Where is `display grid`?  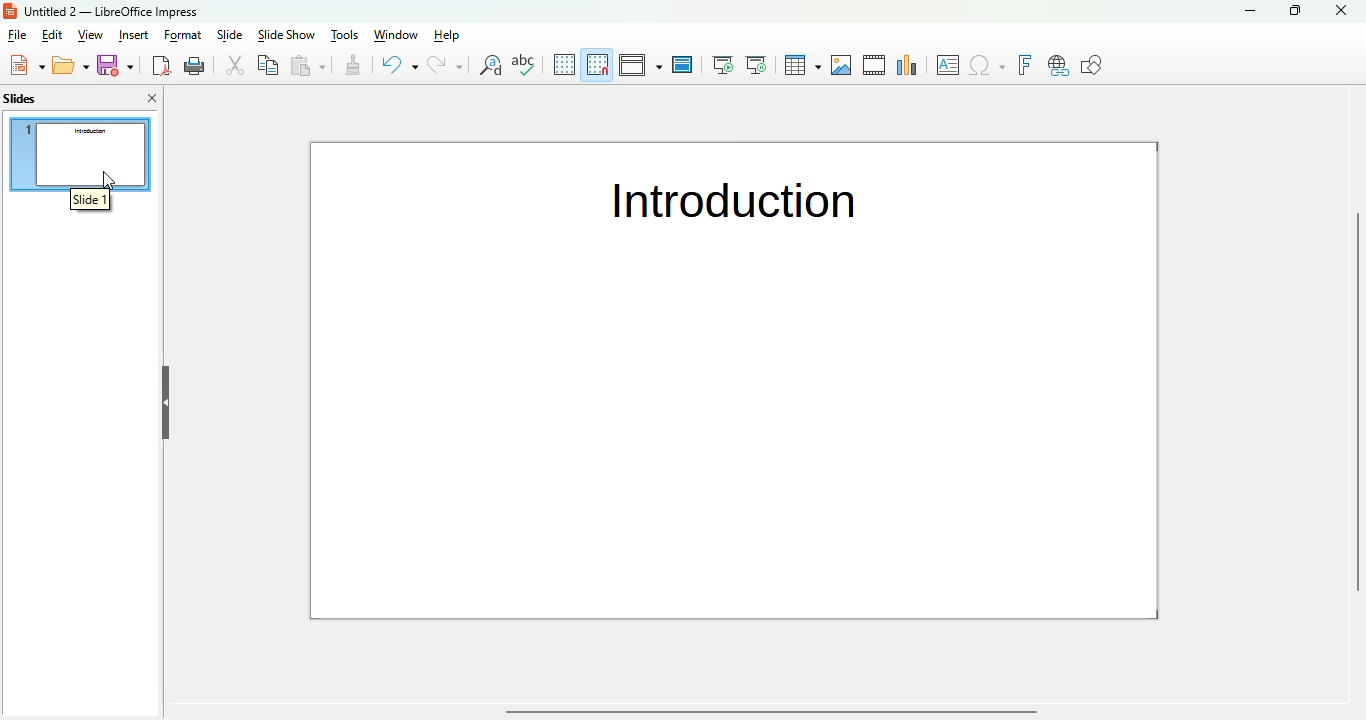
display grid is located at coordinates (564, 64).